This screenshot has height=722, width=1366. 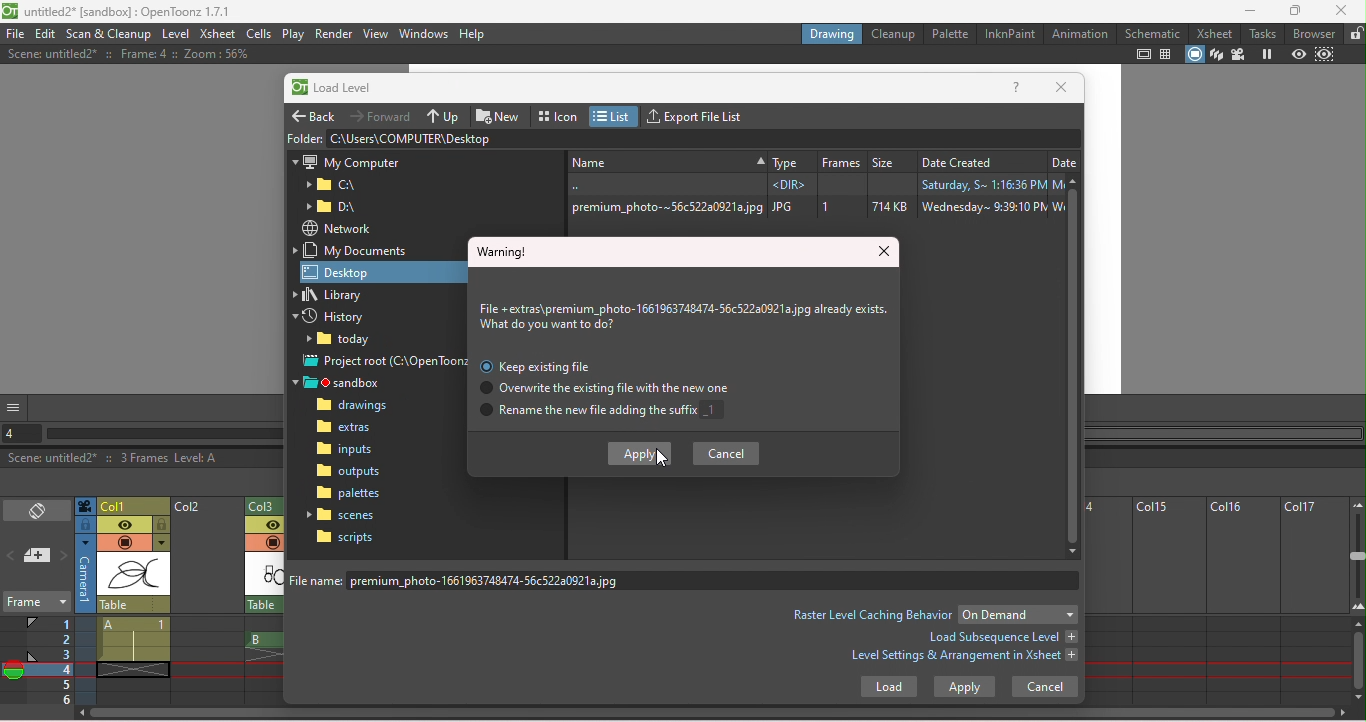 I want to click on Warning, so click(x=504, y=251).